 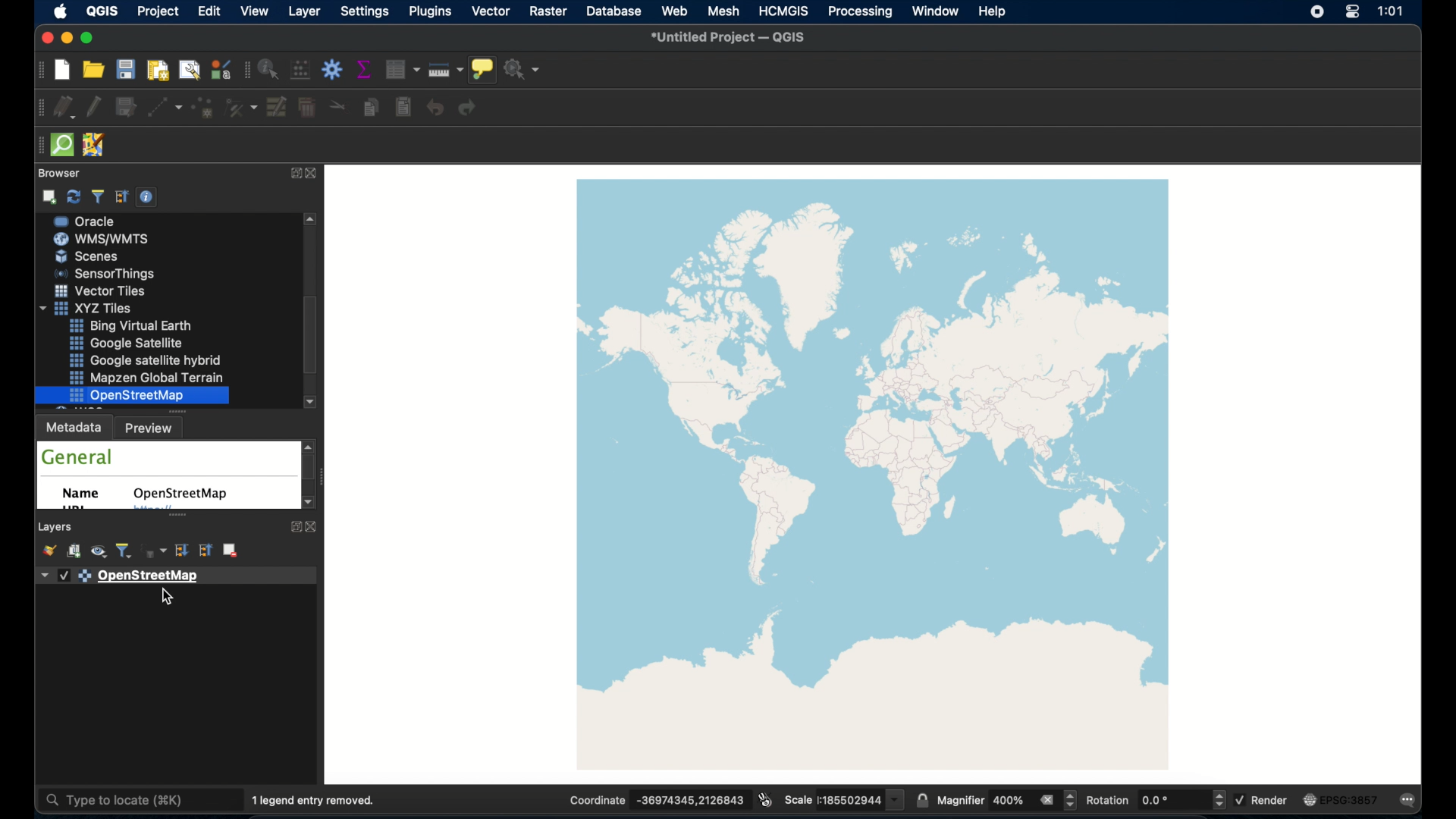 What do you see at coordinates (69, 38) in the screenshot?
I see `minimize` at bounding box center [69, 38].